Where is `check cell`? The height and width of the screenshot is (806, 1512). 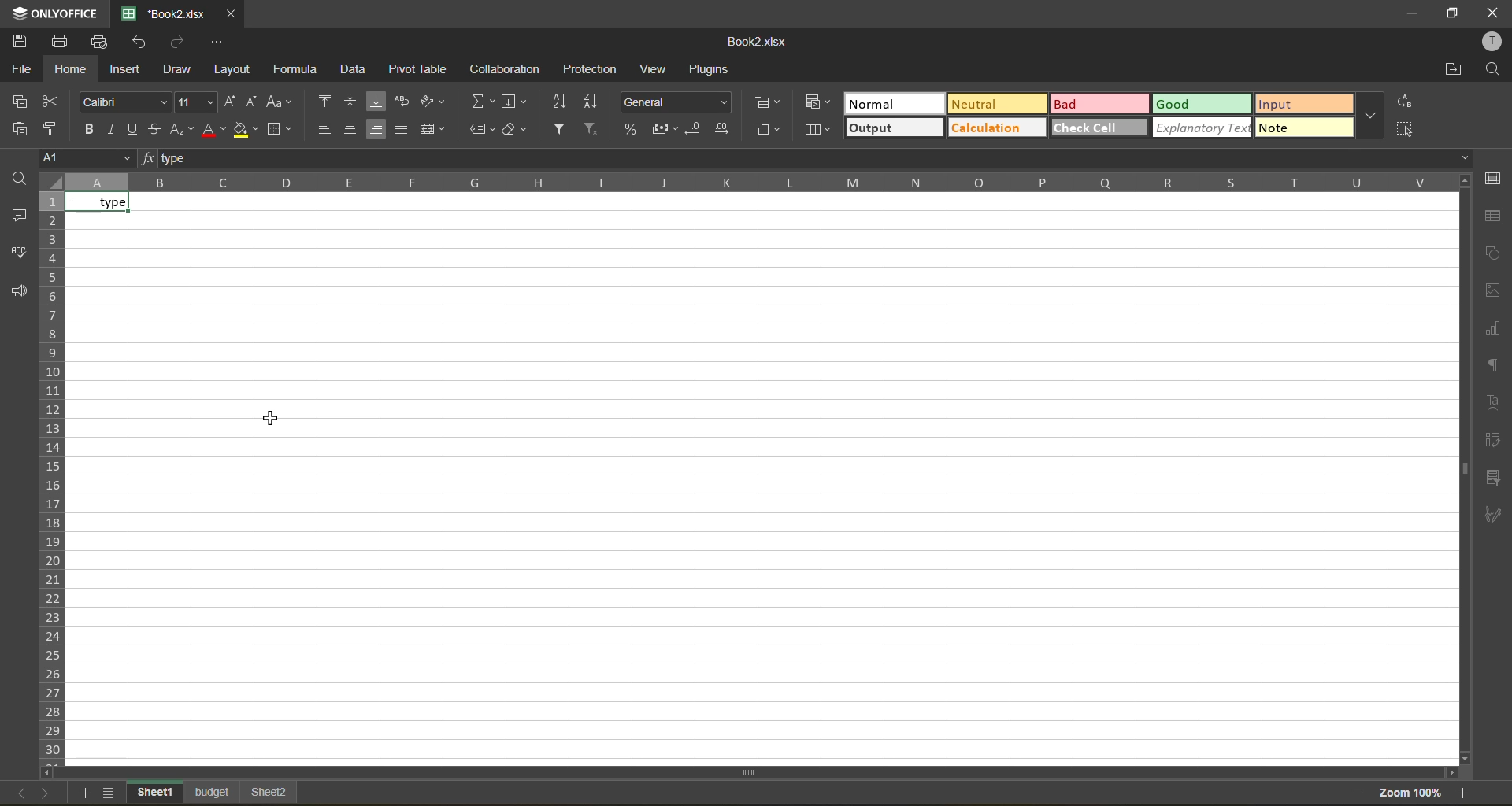 check cell is located at coordinates (1101, 128).